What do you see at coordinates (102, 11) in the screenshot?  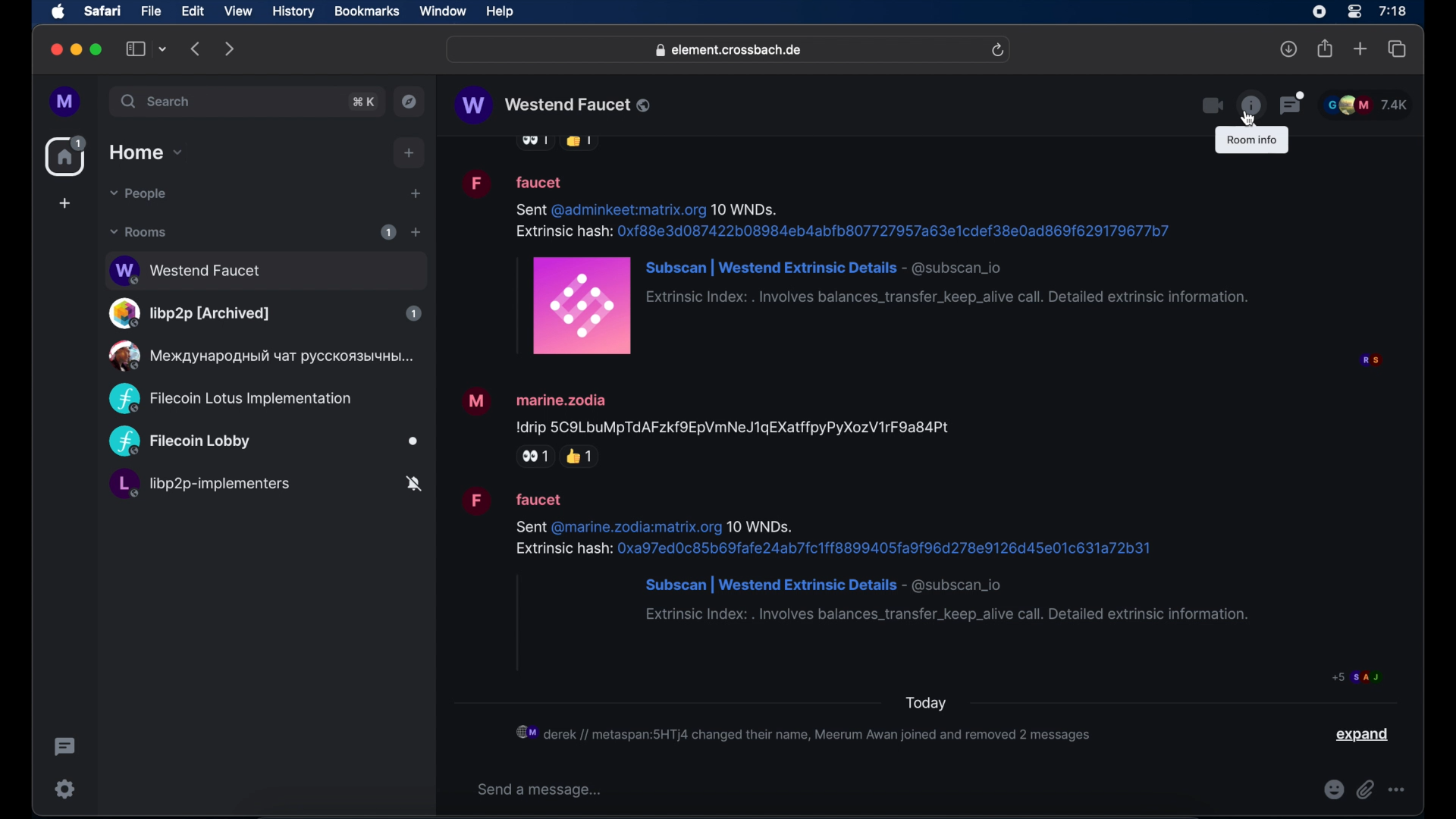 I see `safari` at bounding box center [102, 11].